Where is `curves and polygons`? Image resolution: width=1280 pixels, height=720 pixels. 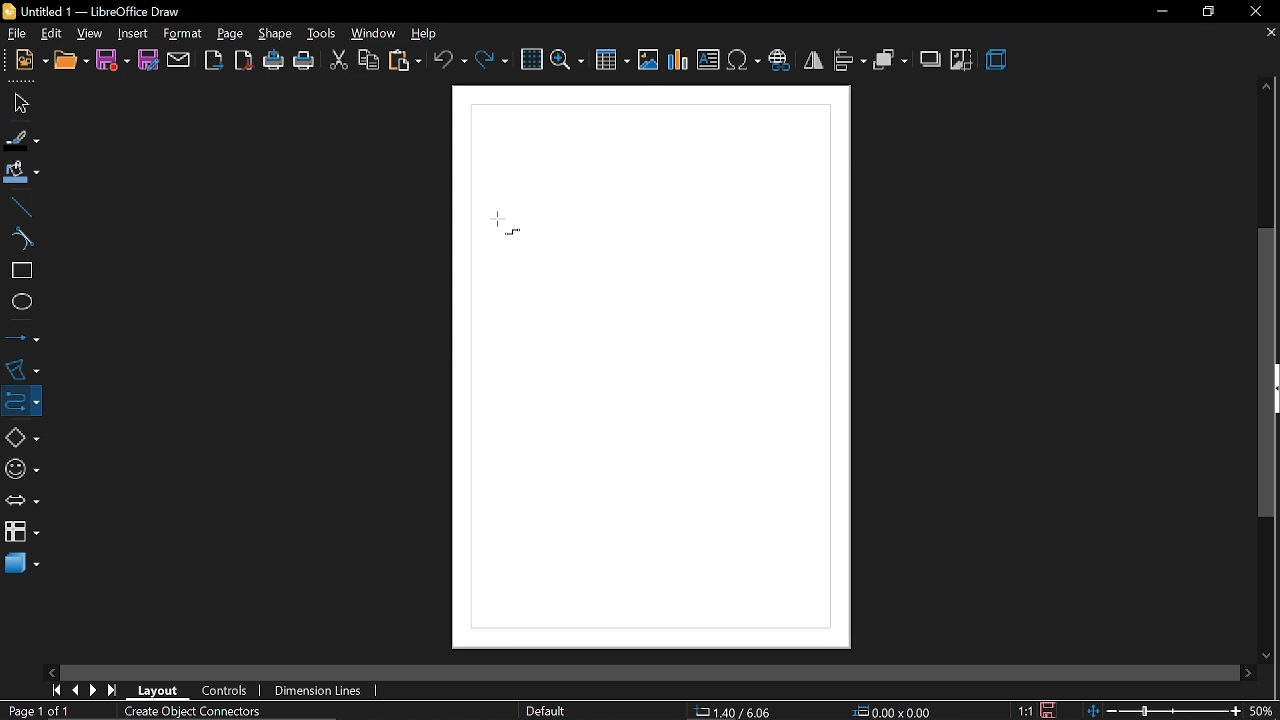
curves and polygons is located at coordinates (20, 369).